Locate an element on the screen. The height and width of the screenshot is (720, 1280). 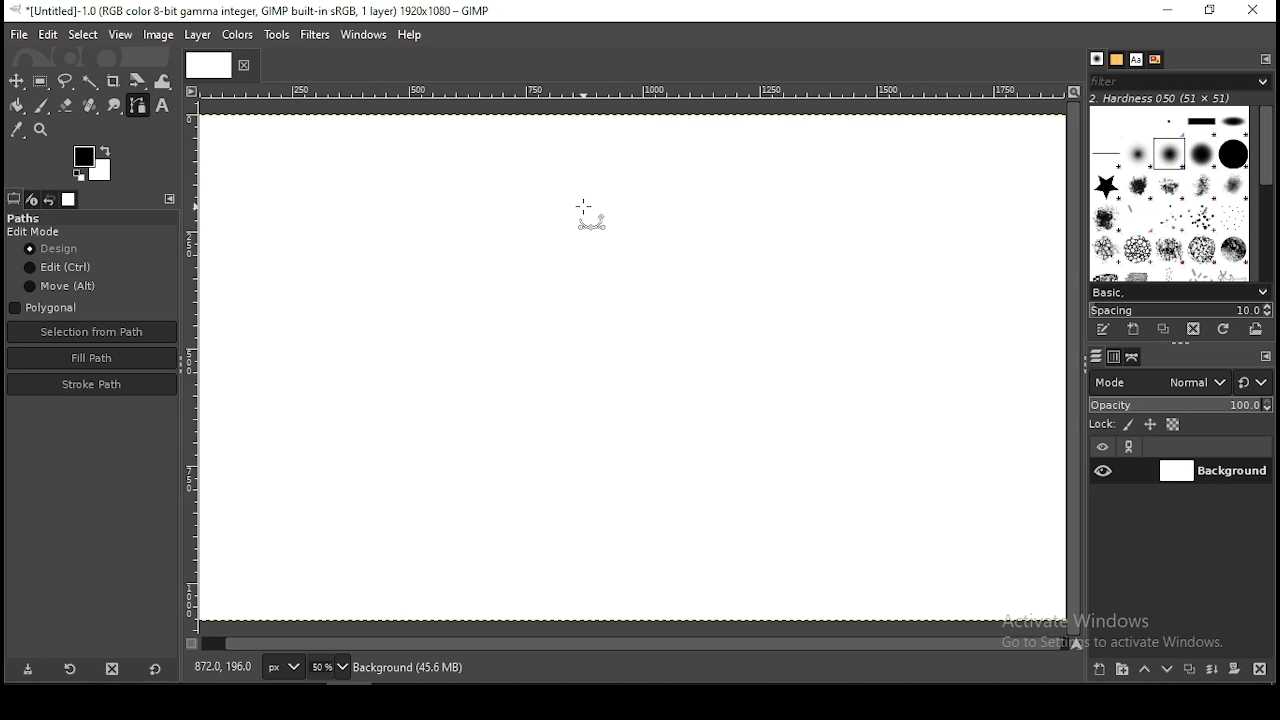
design is located at coordinates (56, 248).